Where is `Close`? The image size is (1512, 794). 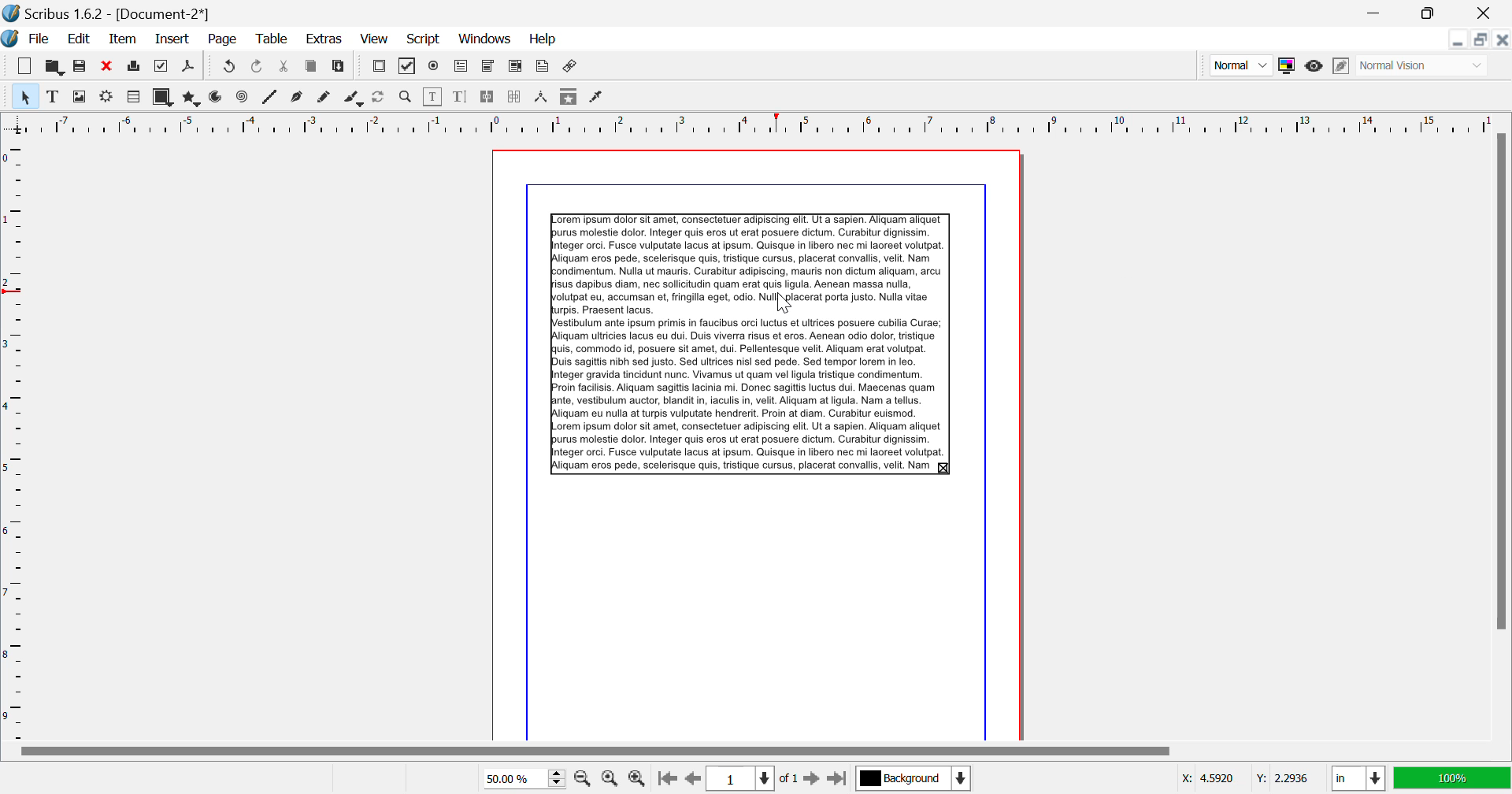
Close is located at coordinates (1503, 39).